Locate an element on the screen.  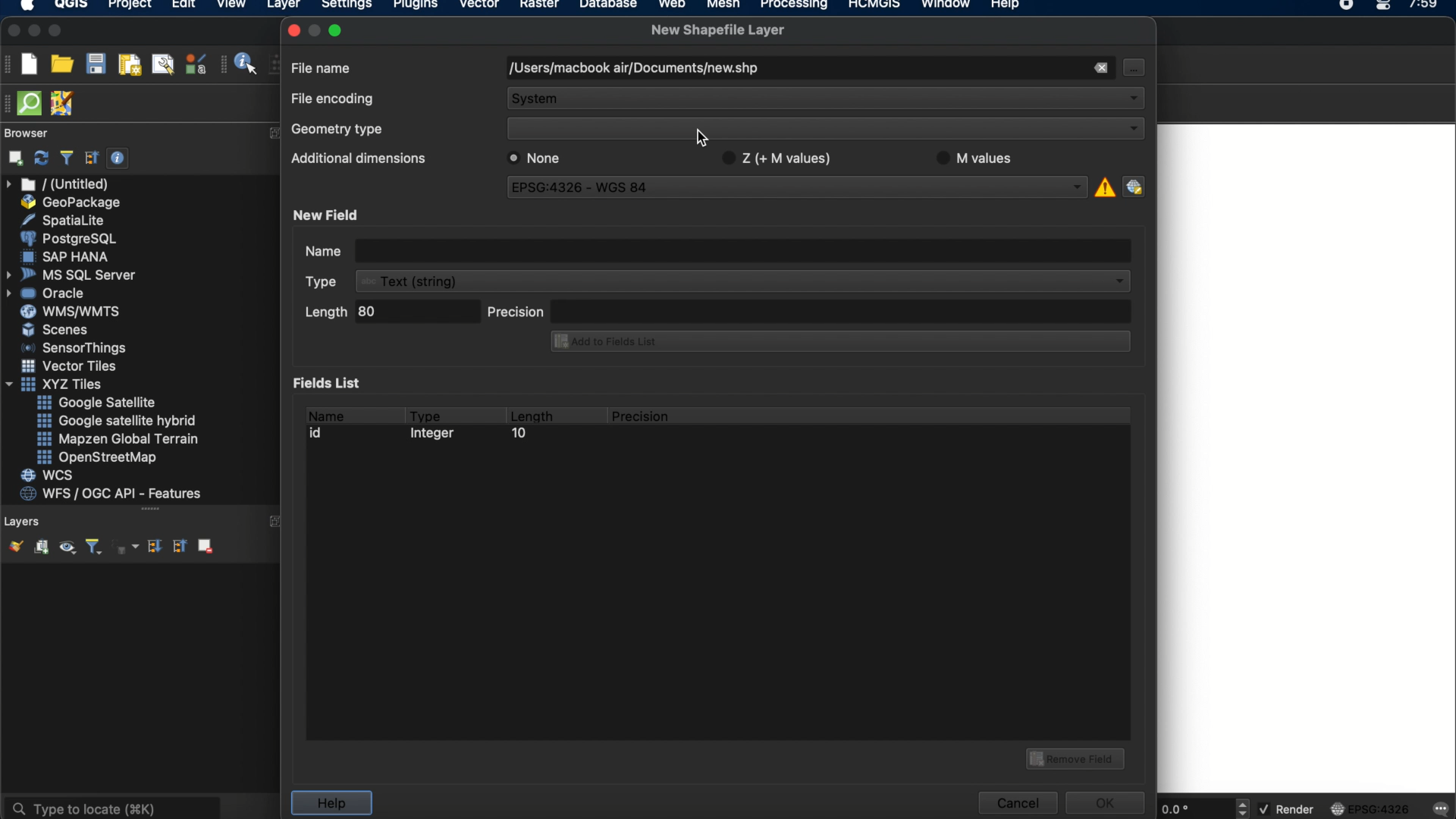
vector is located at coordinates (480, 6).